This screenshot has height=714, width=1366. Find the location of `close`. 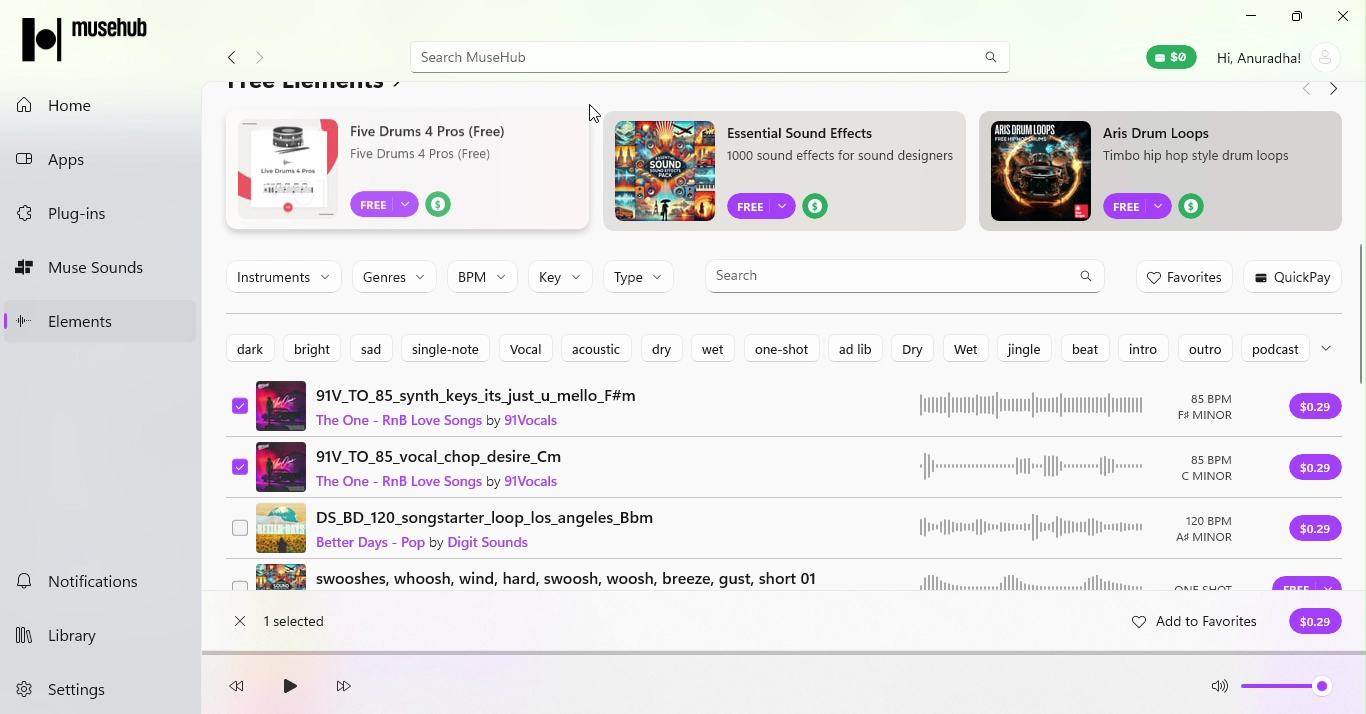

close is located at coordinates (239, 623).